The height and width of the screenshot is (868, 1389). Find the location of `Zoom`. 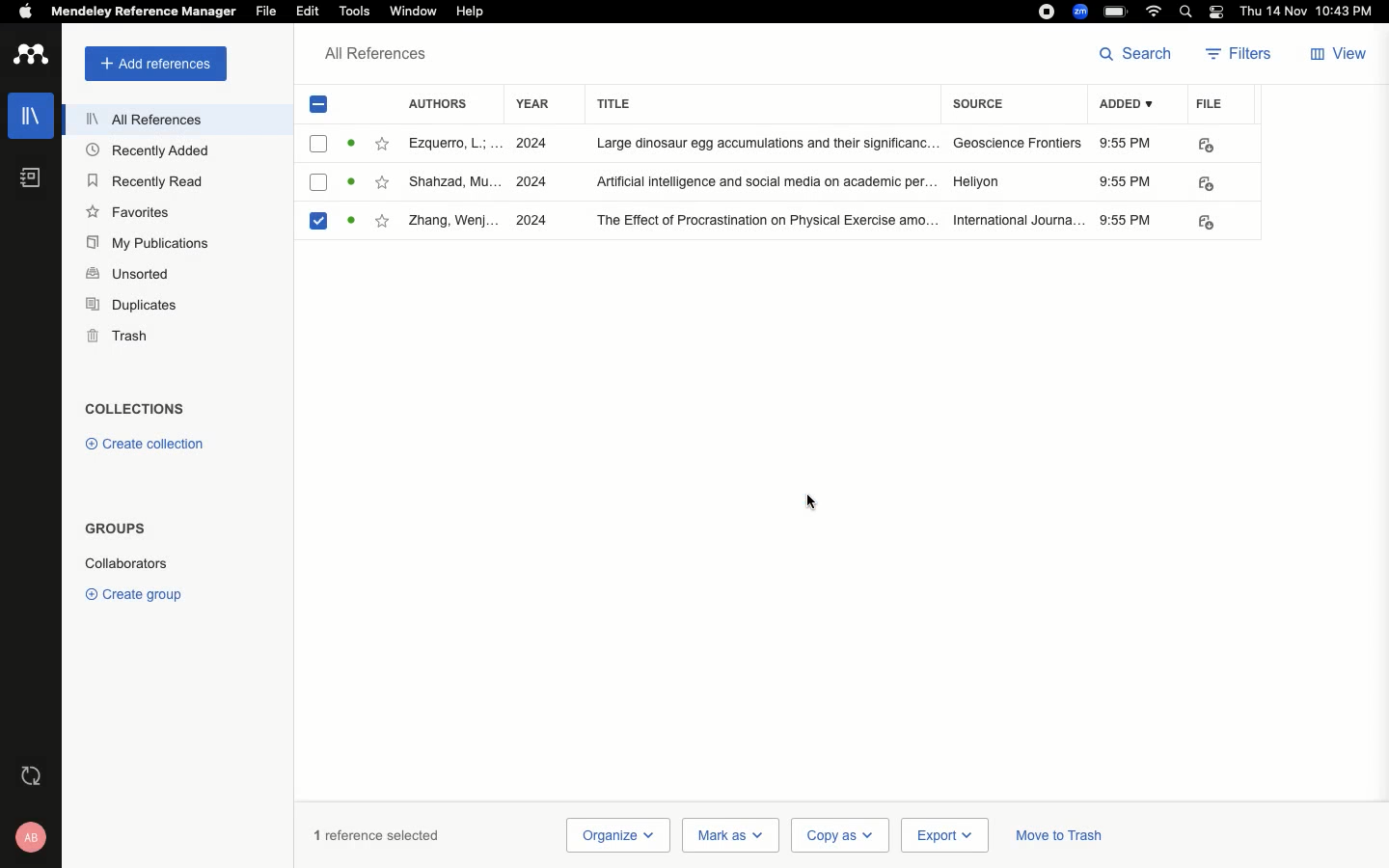

Zoom is located at coordinates (1081, 12).